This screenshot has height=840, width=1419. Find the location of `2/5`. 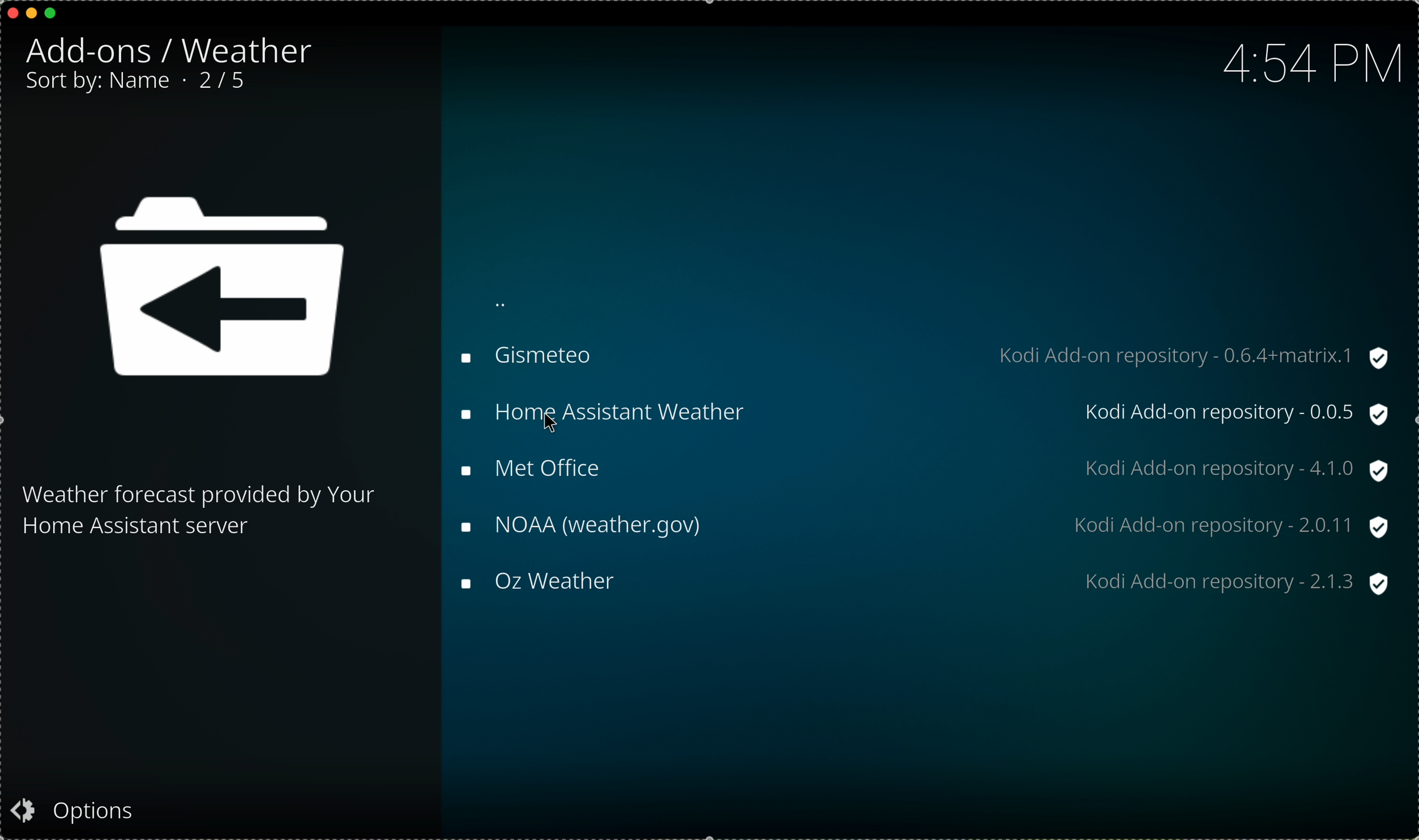

2/5 is located at coordinates (225, 84).